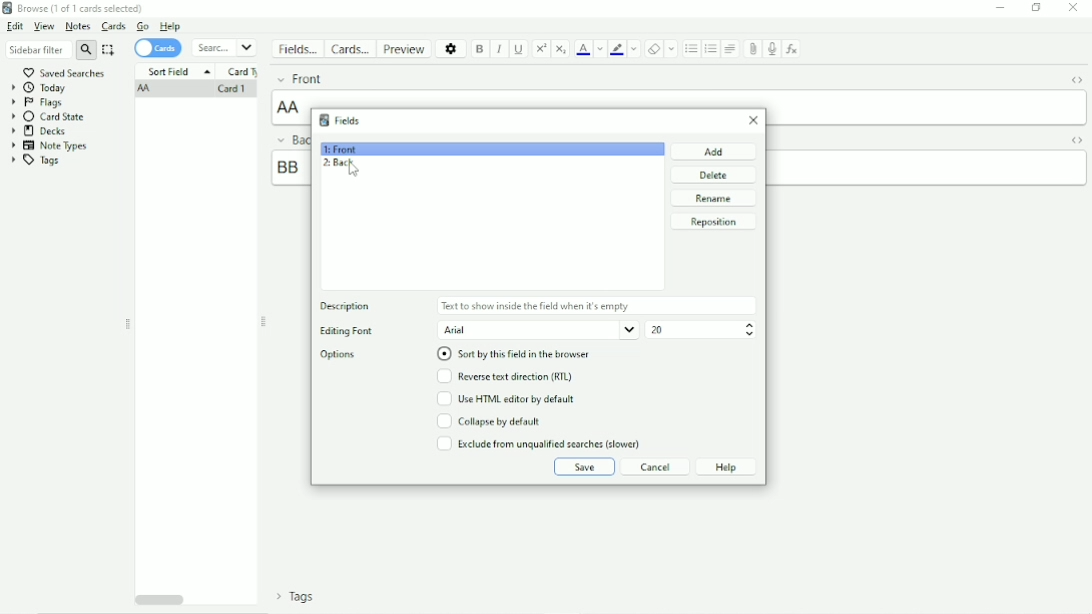  Describe the element at coordinates (715, 175) in the screenshot. I see `Delete` at that location.